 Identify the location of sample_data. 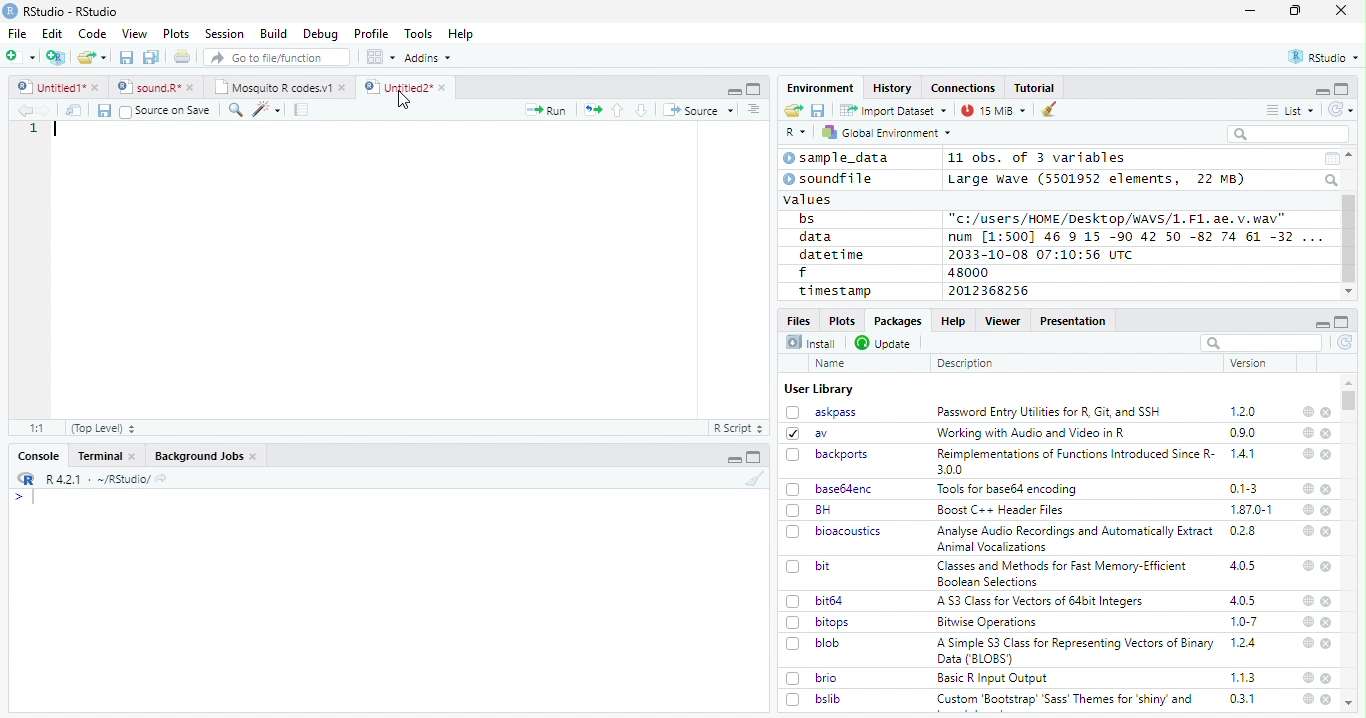
(839, 158).